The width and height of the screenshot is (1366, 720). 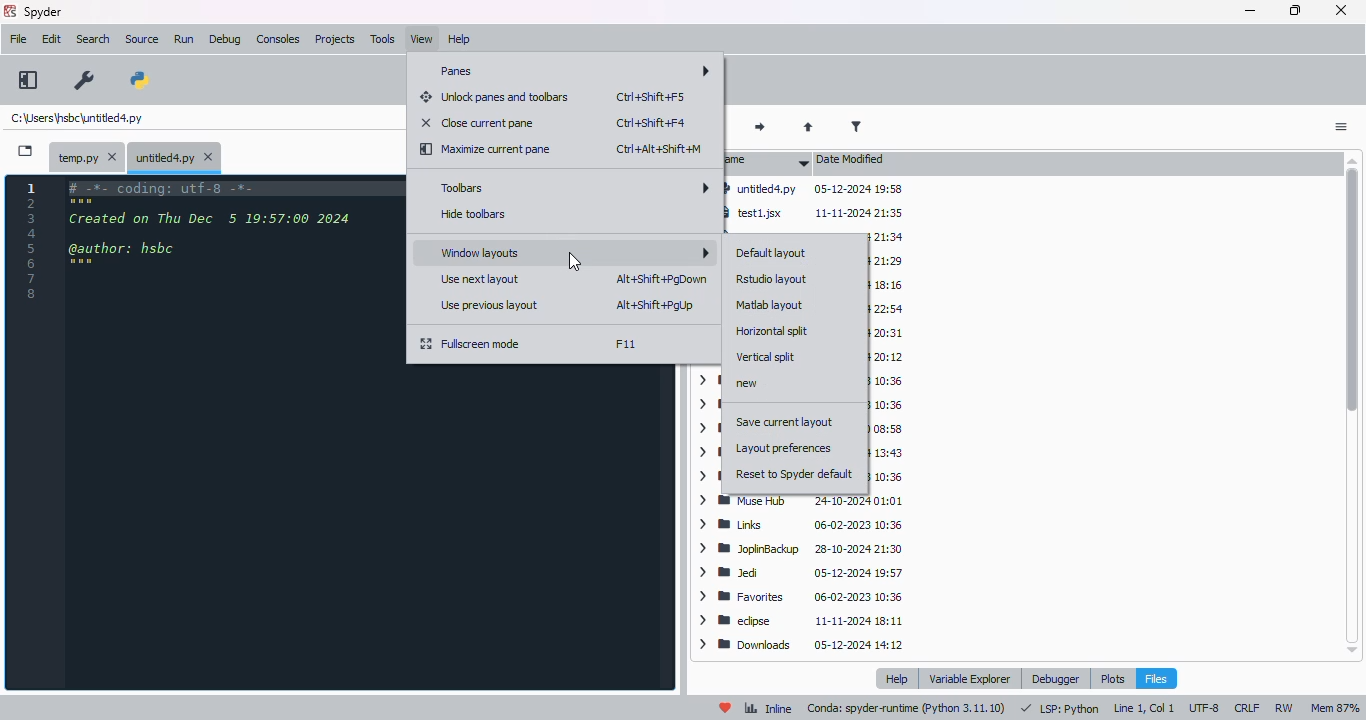 What do you see at coordinates (44, 11) in the screenshot?
I see `spyder` at bounding box center [44, 11].